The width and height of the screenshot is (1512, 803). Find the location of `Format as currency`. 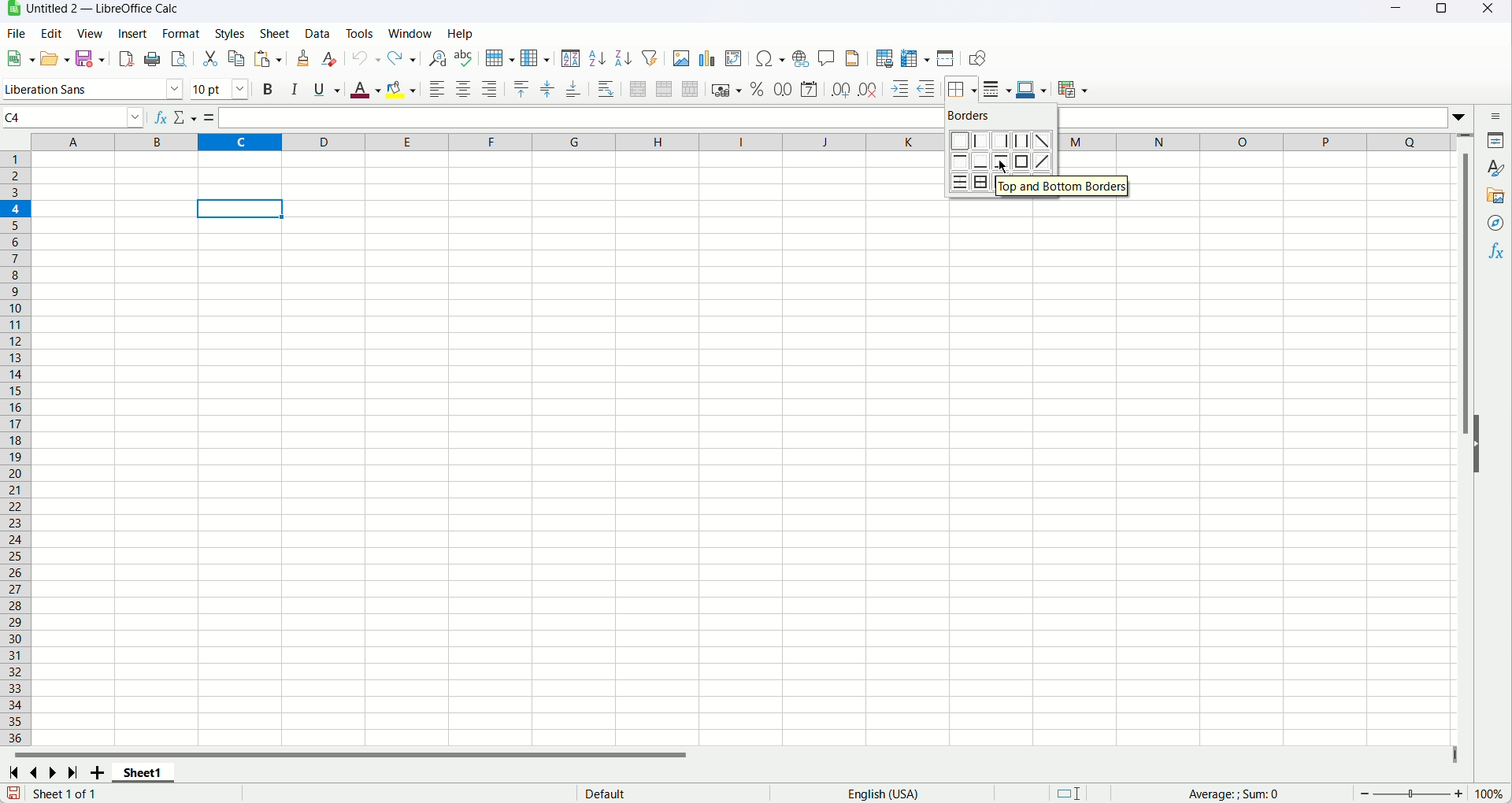

Format as currency is located at coordinates (727, 89).